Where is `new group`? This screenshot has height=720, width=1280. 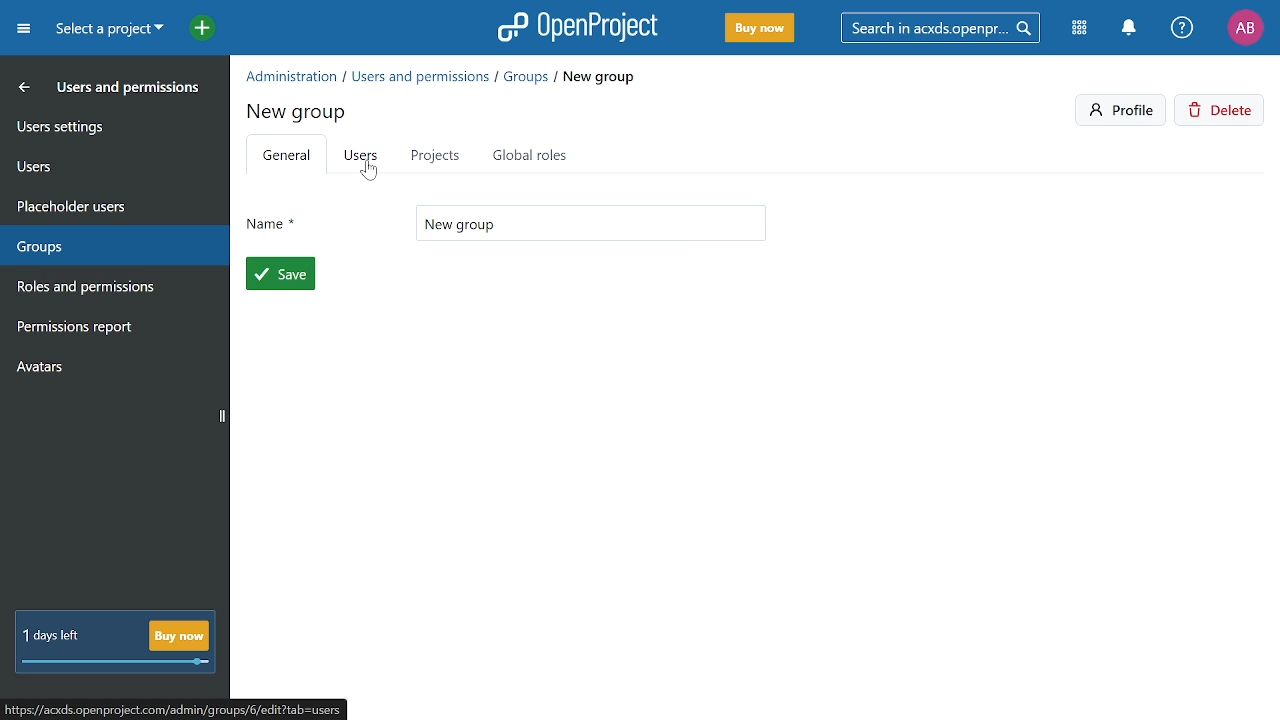
new group is located at coordinates (299, 109).